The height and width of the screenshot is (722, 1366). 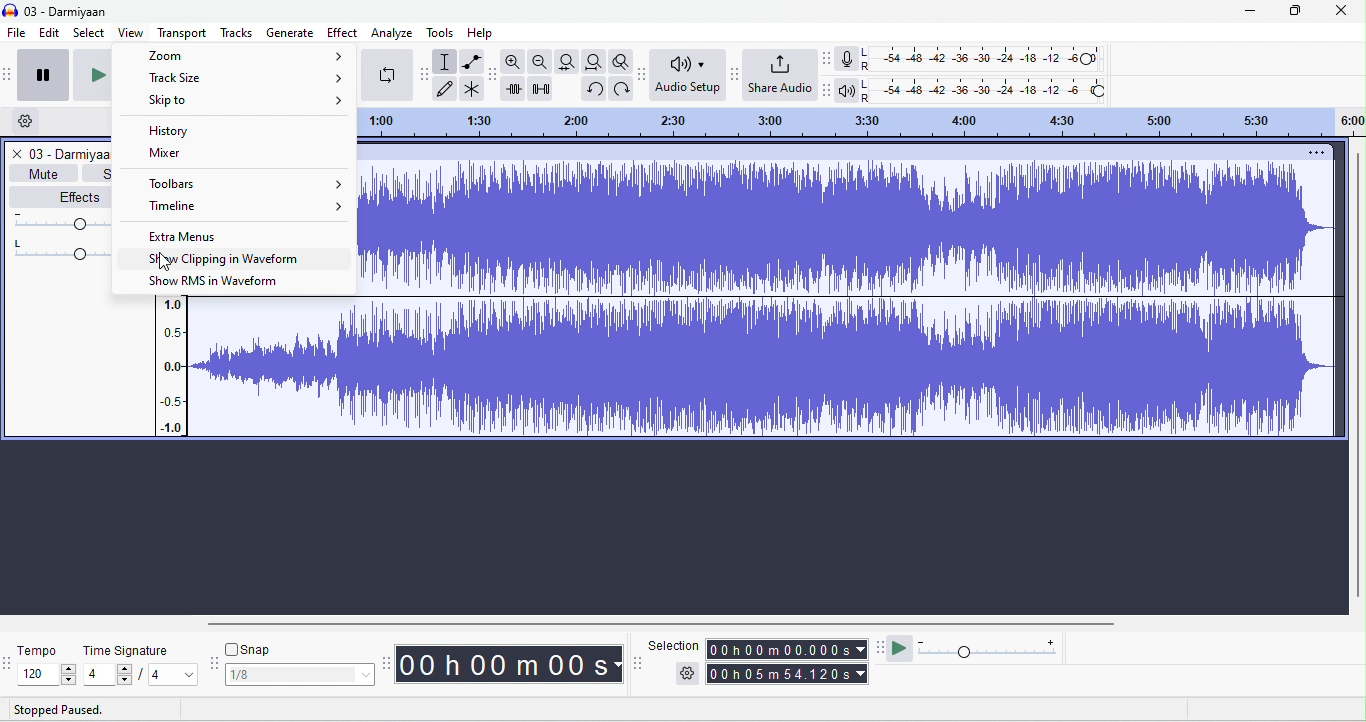 I want to click on play at speed tool bar, so click(x=881, y=648).